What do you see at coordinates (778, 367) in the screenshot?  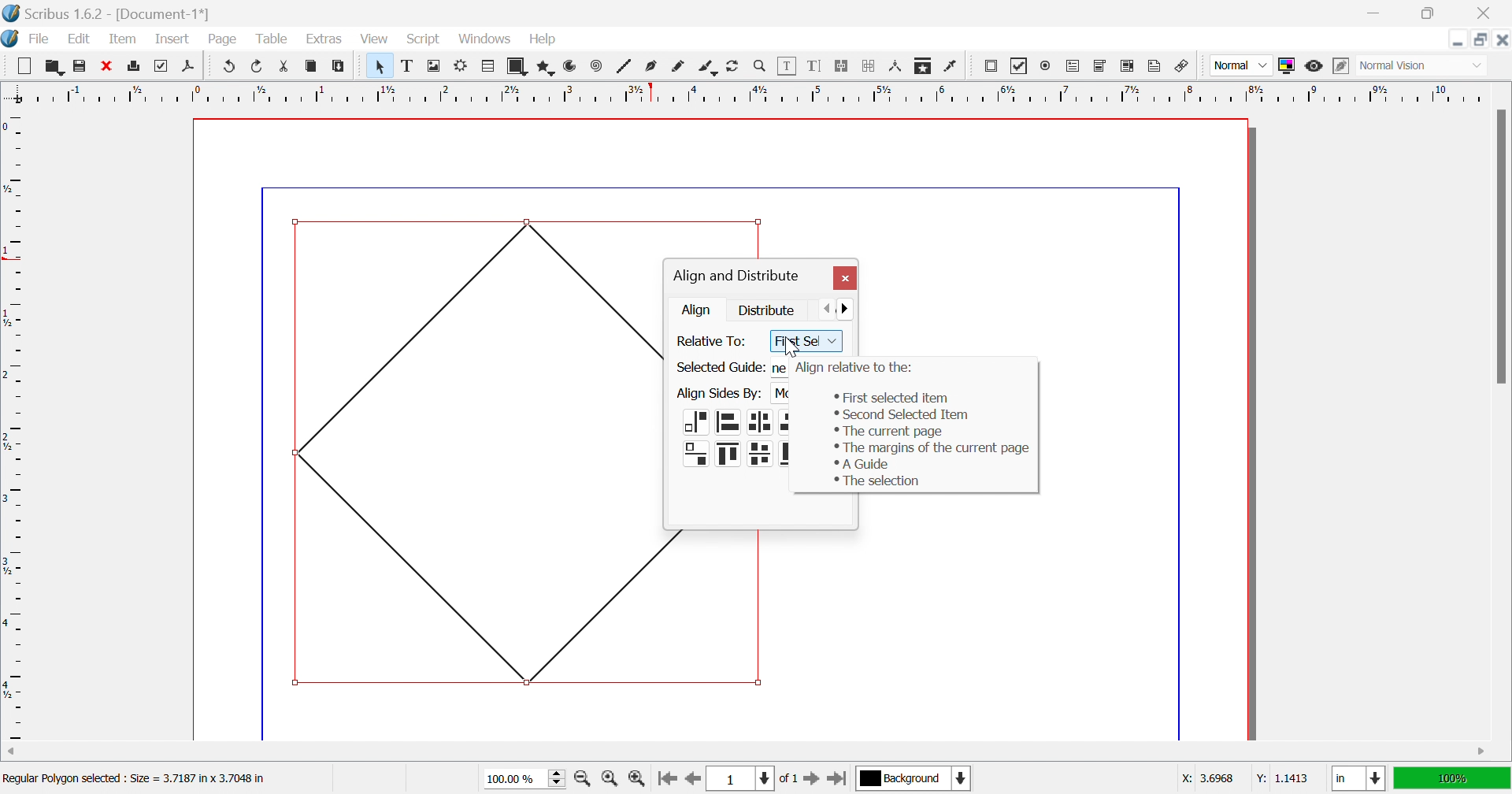 I see `ne` at bounding box center [778, 367].